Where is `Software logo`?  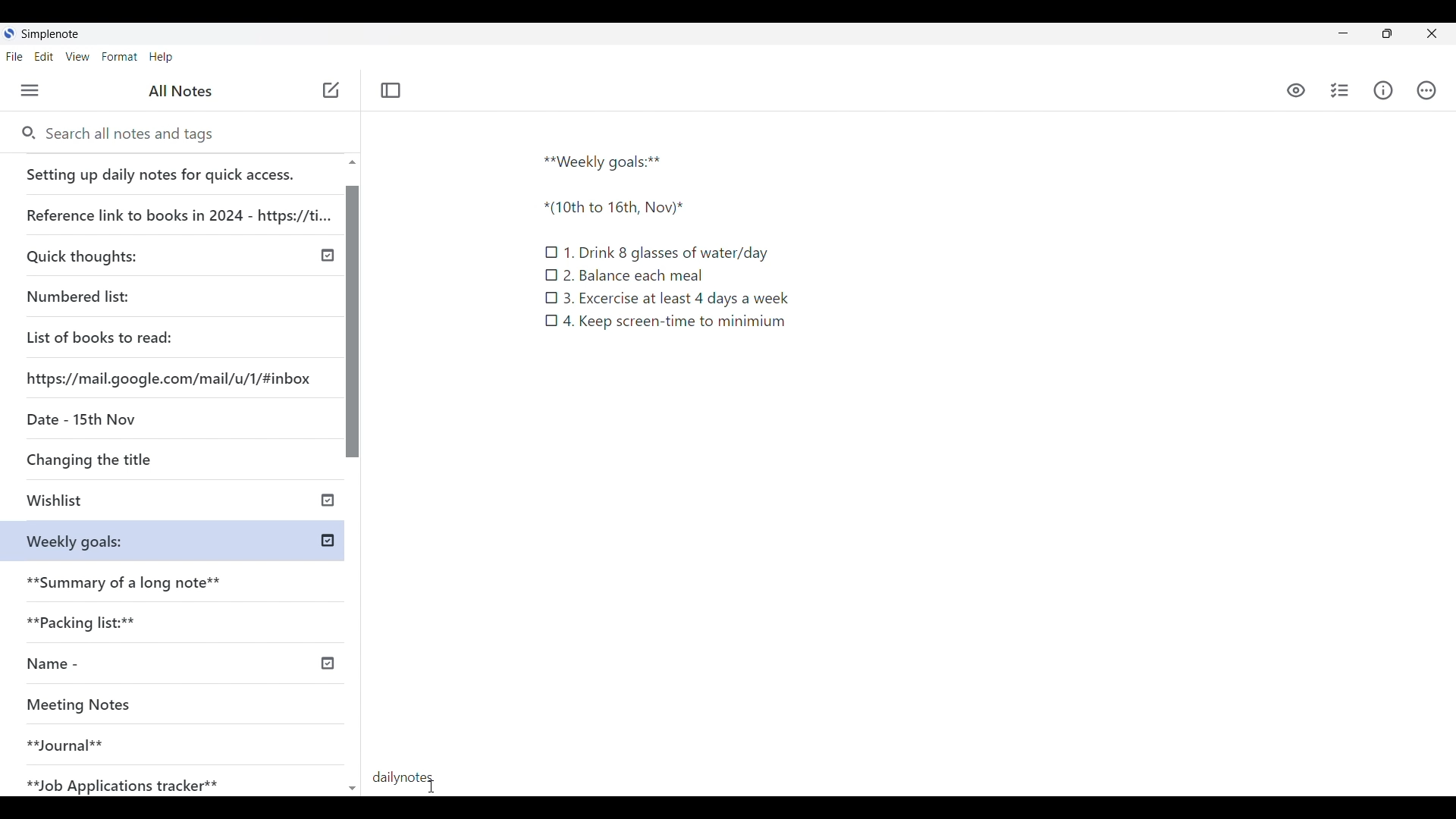 Software logo is located at coordinates (10, 33).